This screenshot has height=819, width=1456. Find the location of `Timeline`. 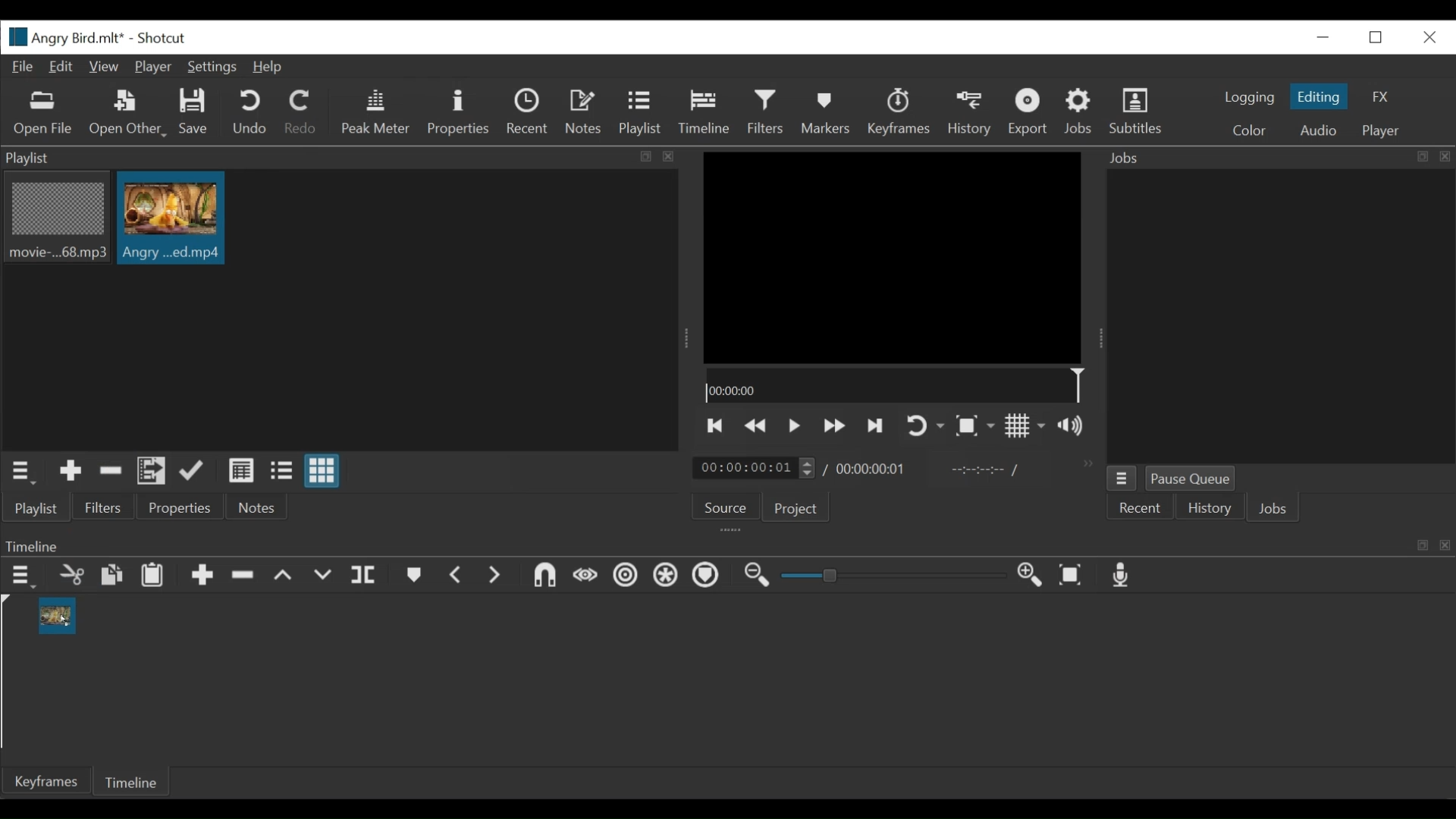

Timeline is located at coordinates (893, 384).